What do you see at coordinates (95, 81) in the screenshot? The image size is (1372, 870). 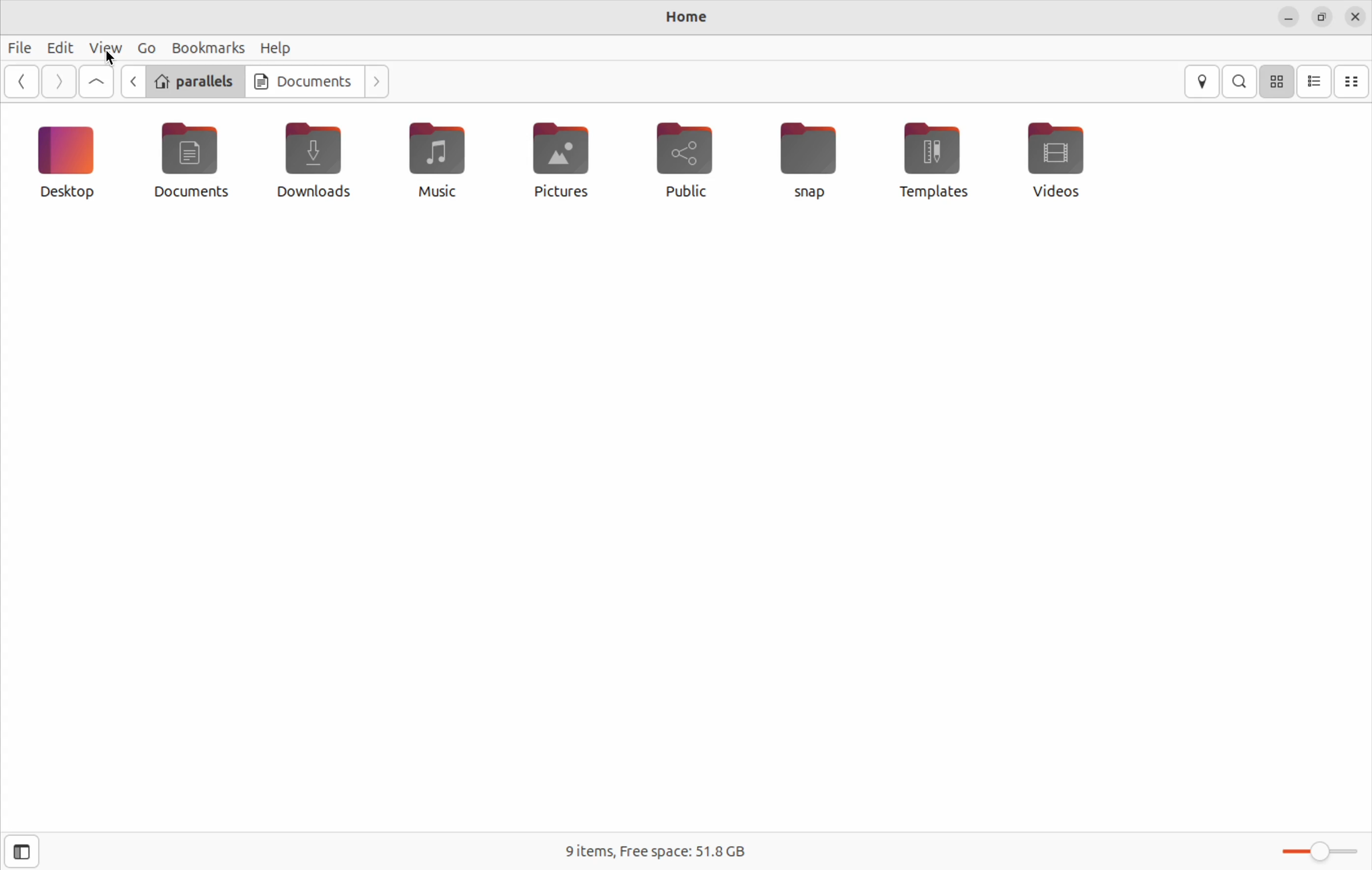 I see `Goto first file` at bounding box center [95, 81].